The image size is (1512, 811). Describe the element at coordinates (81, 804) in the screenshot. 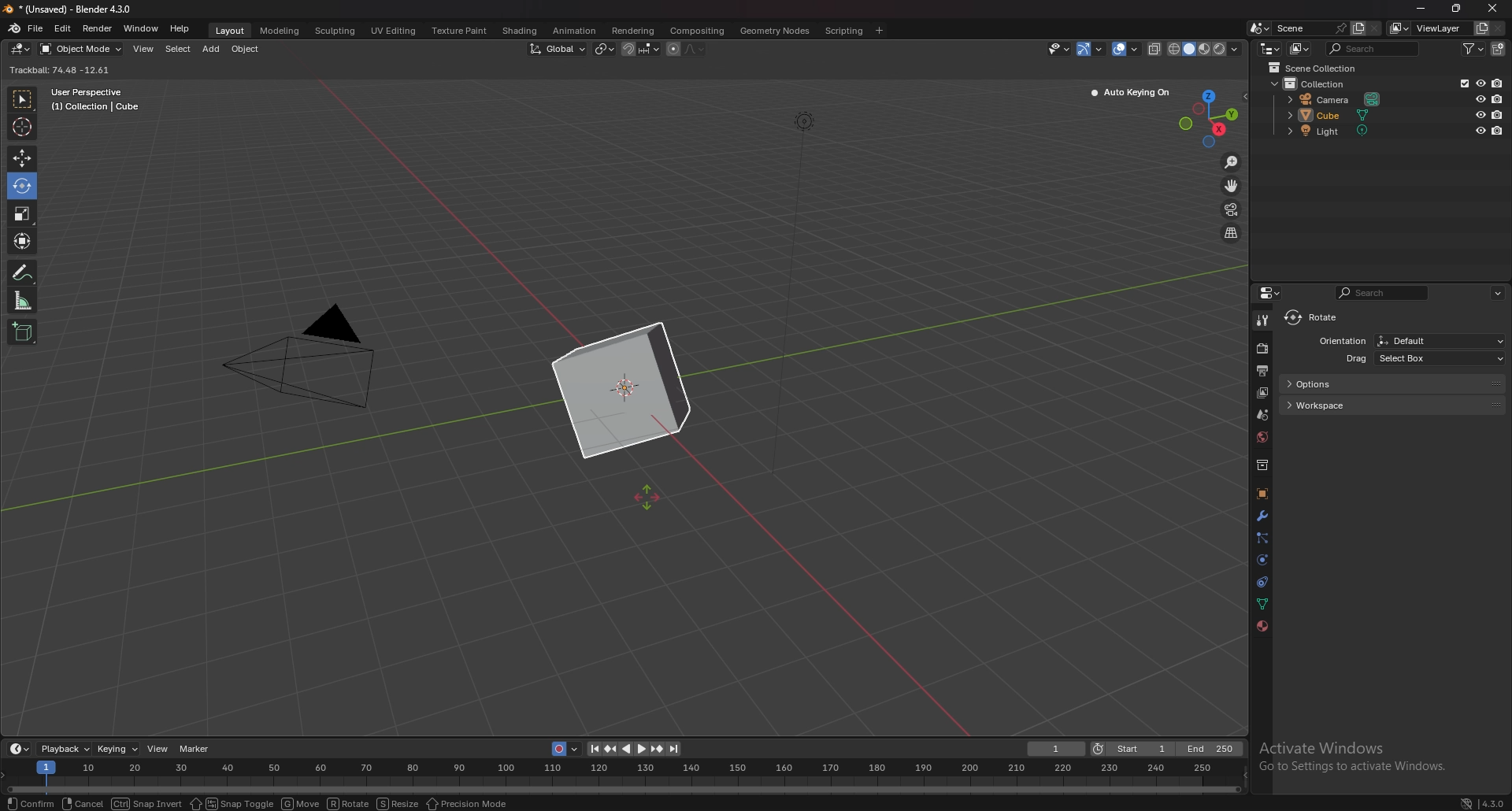

I see `cancel` at that location.